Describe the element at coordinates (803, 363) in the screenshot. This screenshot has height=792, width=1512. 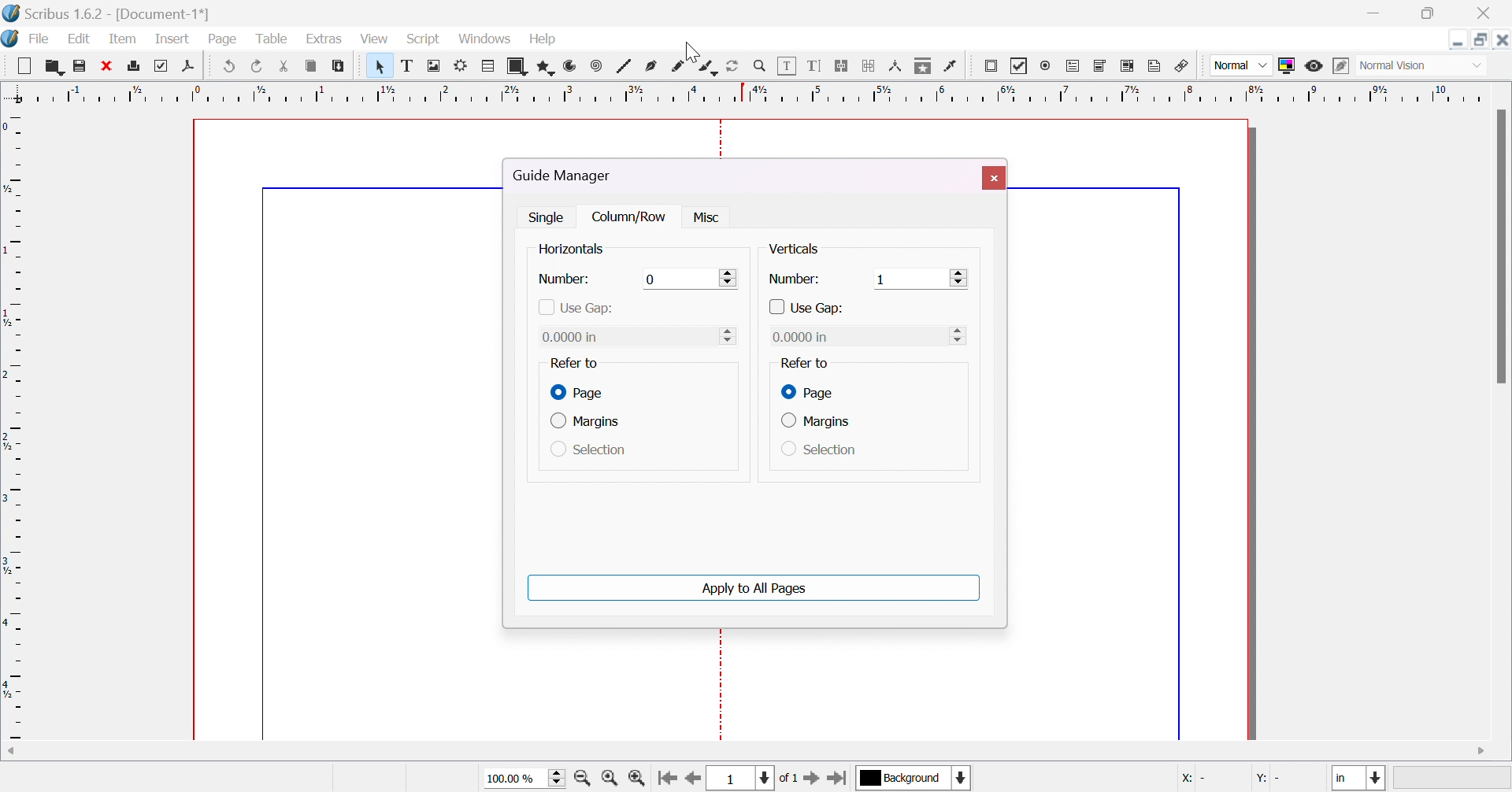
I see `refer to` at that location.